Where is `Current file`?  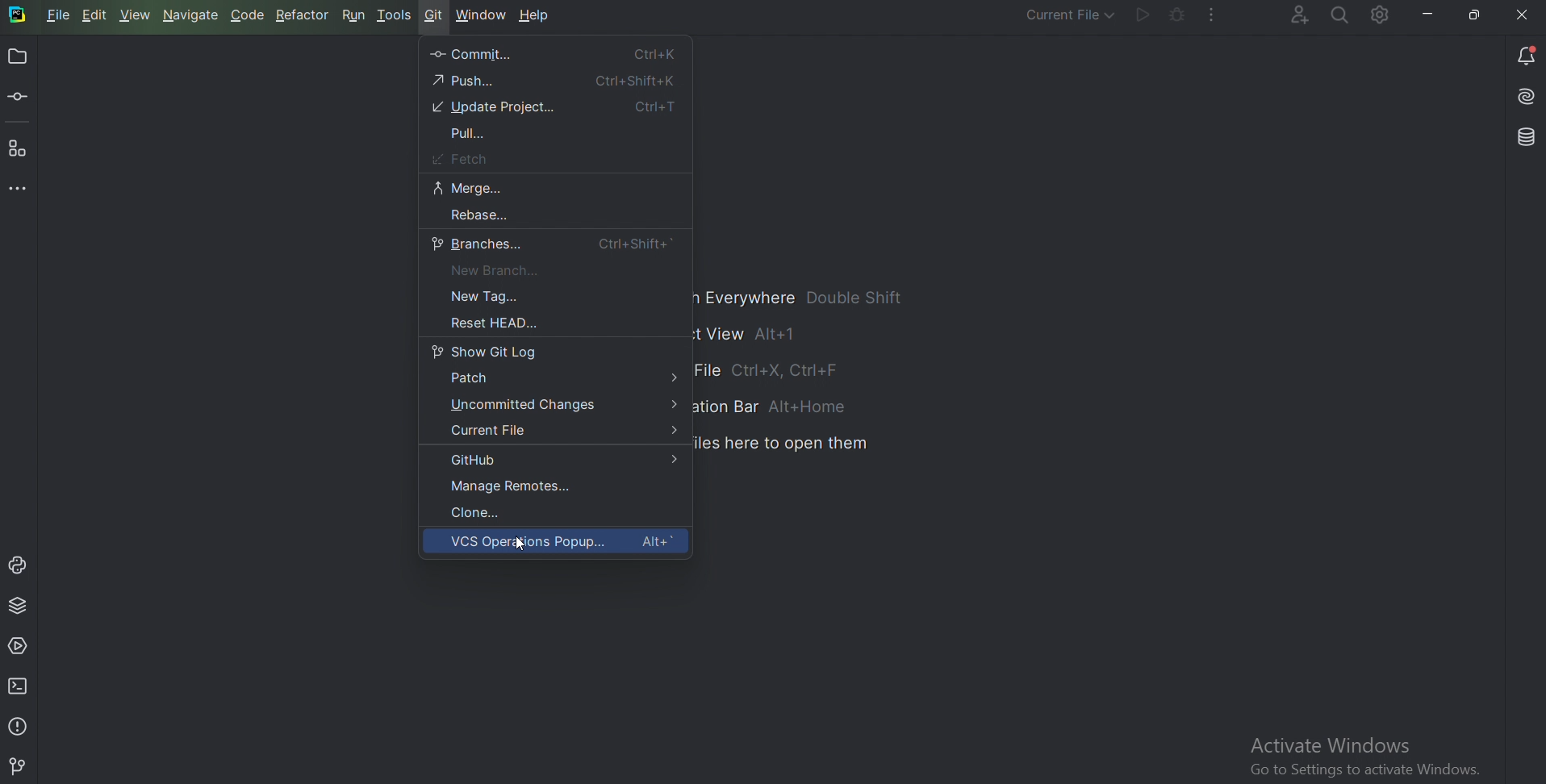 Current file is located at coordinates (558, 430).